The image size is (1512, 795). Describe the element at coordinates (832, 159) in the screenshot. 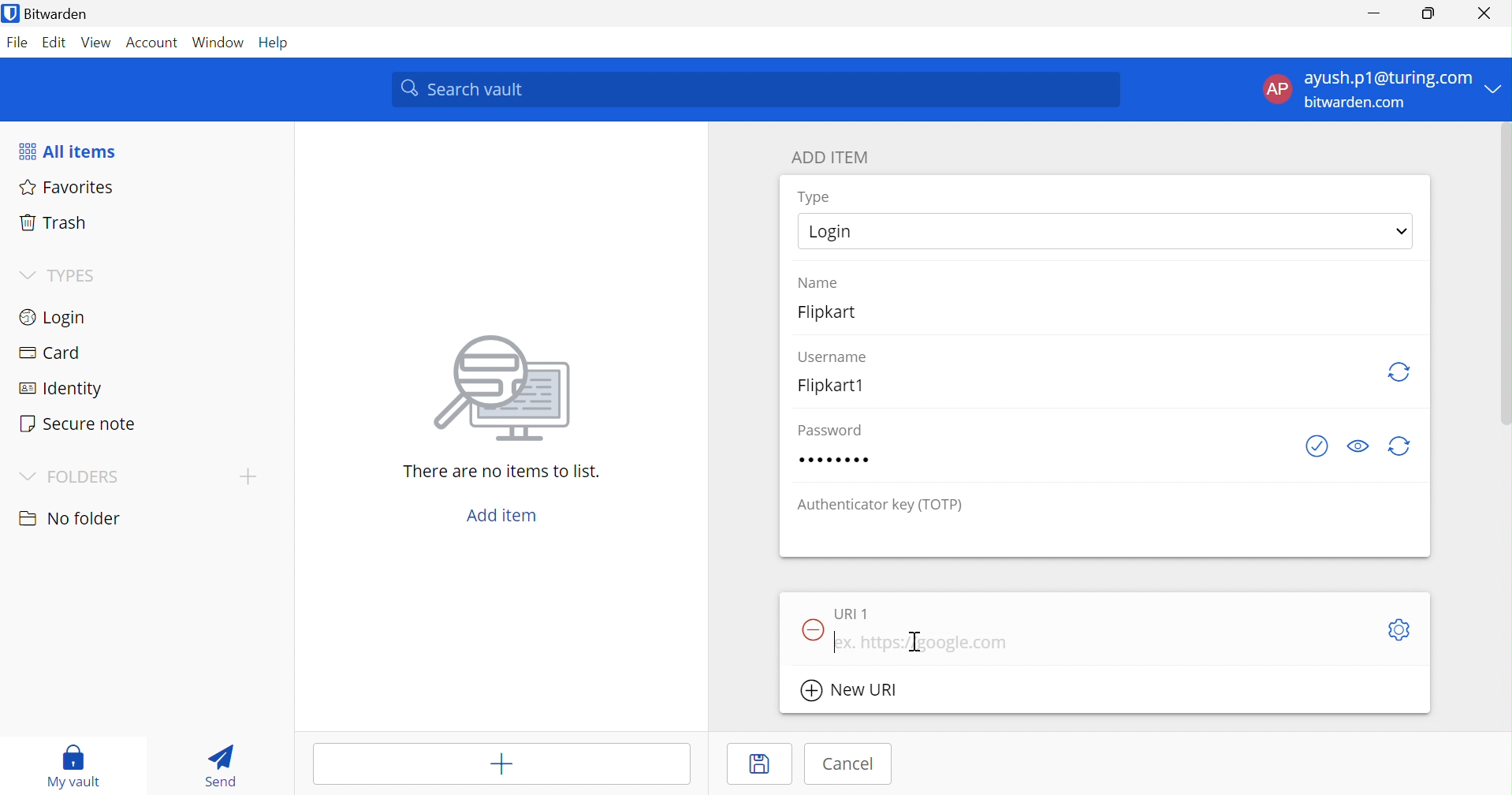

I see `ADD ITEM` at that location.